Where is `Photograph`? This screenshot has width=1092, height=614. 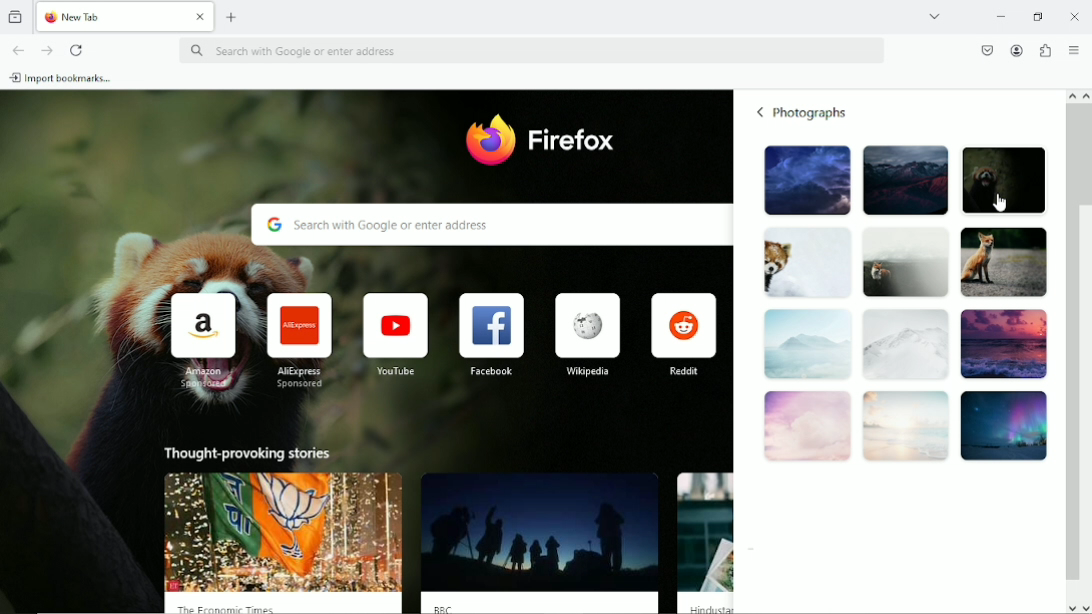
Photograph is located at coordinates (906, 427).